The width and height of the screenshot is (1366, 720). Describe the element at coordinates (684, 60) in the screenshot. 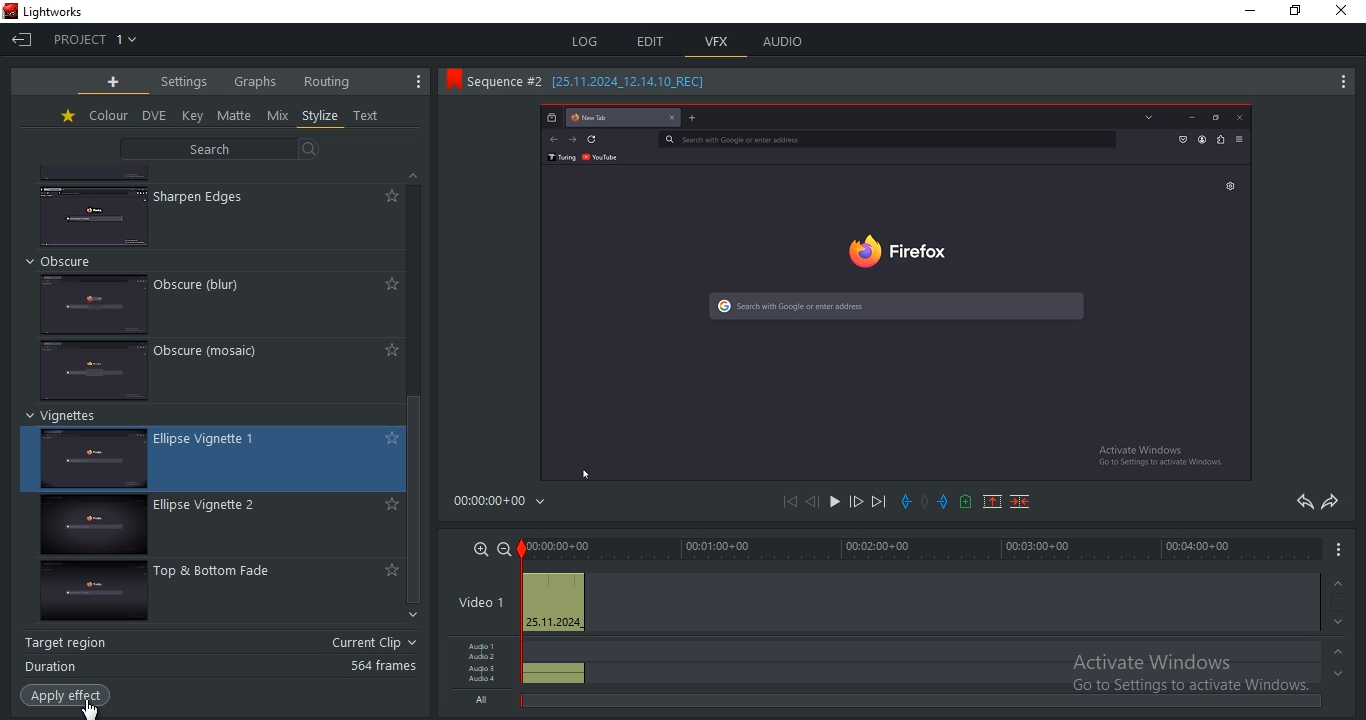

I see `Edit menu selected` at that location.